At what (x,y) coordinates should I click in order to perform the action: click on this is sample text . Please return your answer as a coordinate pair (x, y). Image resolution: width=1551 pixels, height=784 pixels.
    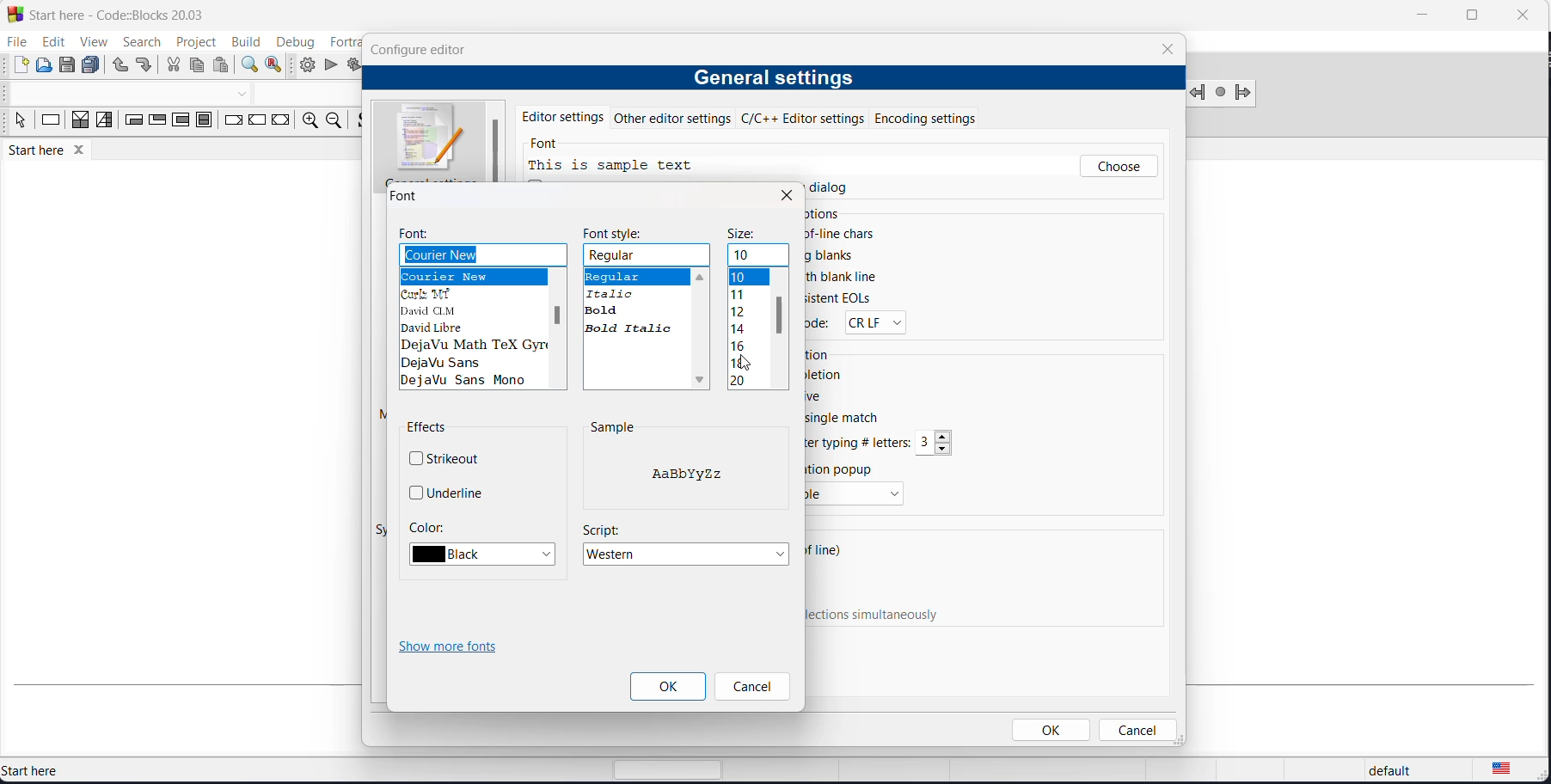
    Looking at the image, I should click on (616, 166).